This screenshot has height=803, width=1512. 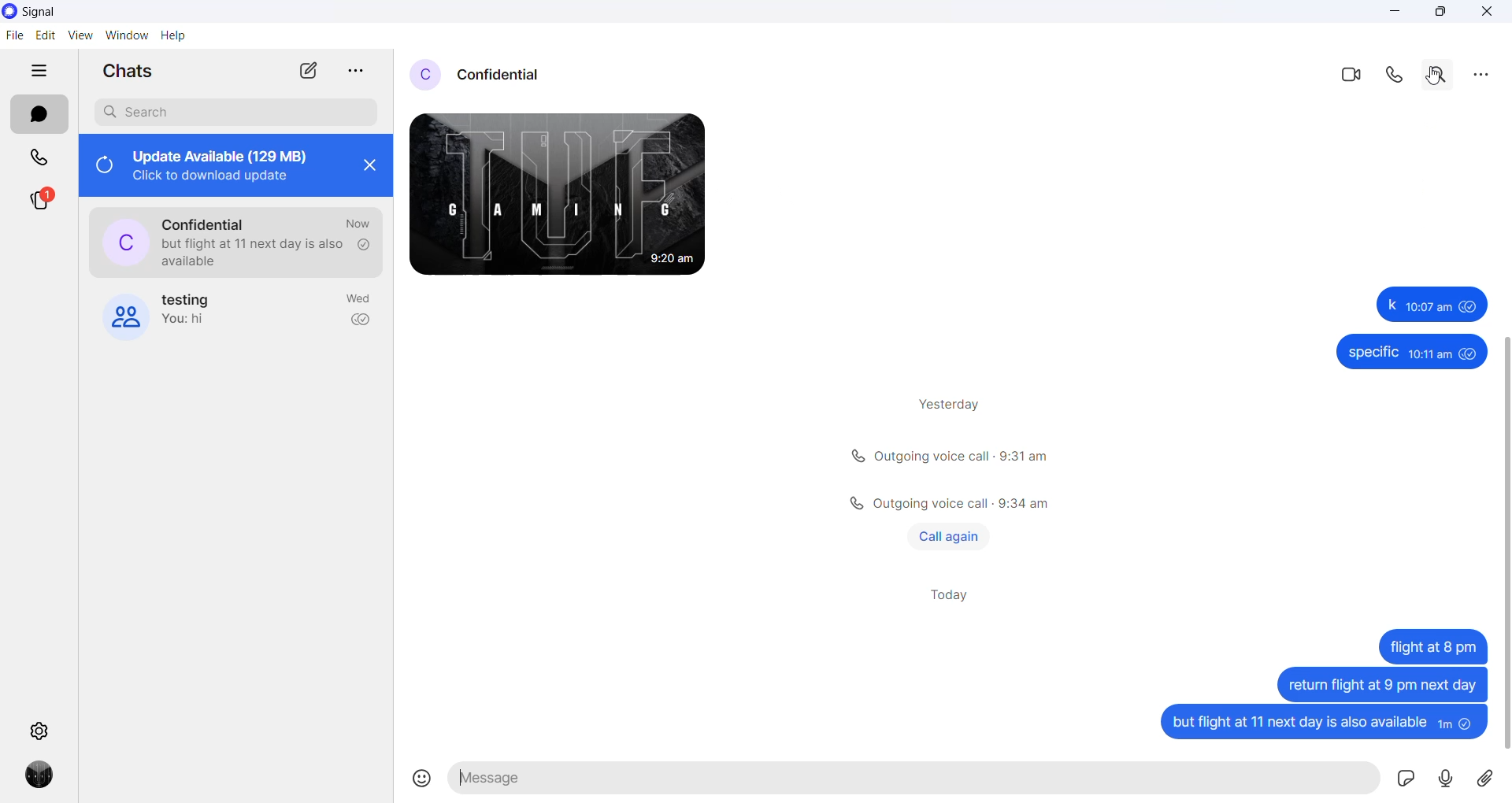 What do you see at coordinates (209, 220) in the screenshot?
I see `contact name` at bounding box center [209, 220].